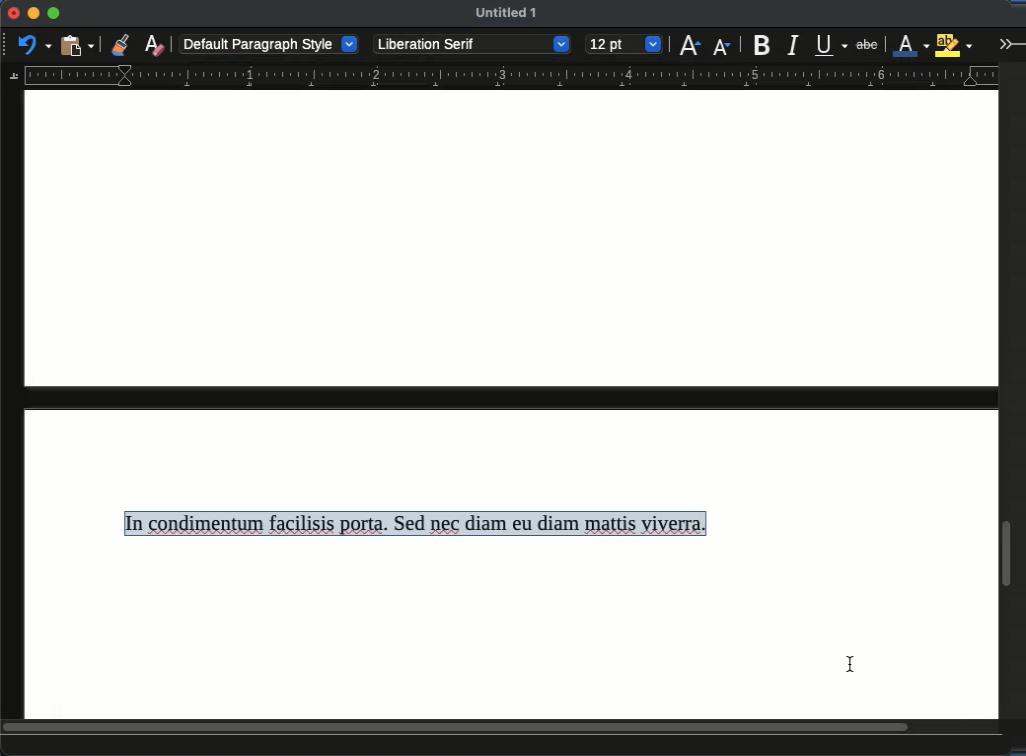  I want to click on scroll, so click(502, 729).